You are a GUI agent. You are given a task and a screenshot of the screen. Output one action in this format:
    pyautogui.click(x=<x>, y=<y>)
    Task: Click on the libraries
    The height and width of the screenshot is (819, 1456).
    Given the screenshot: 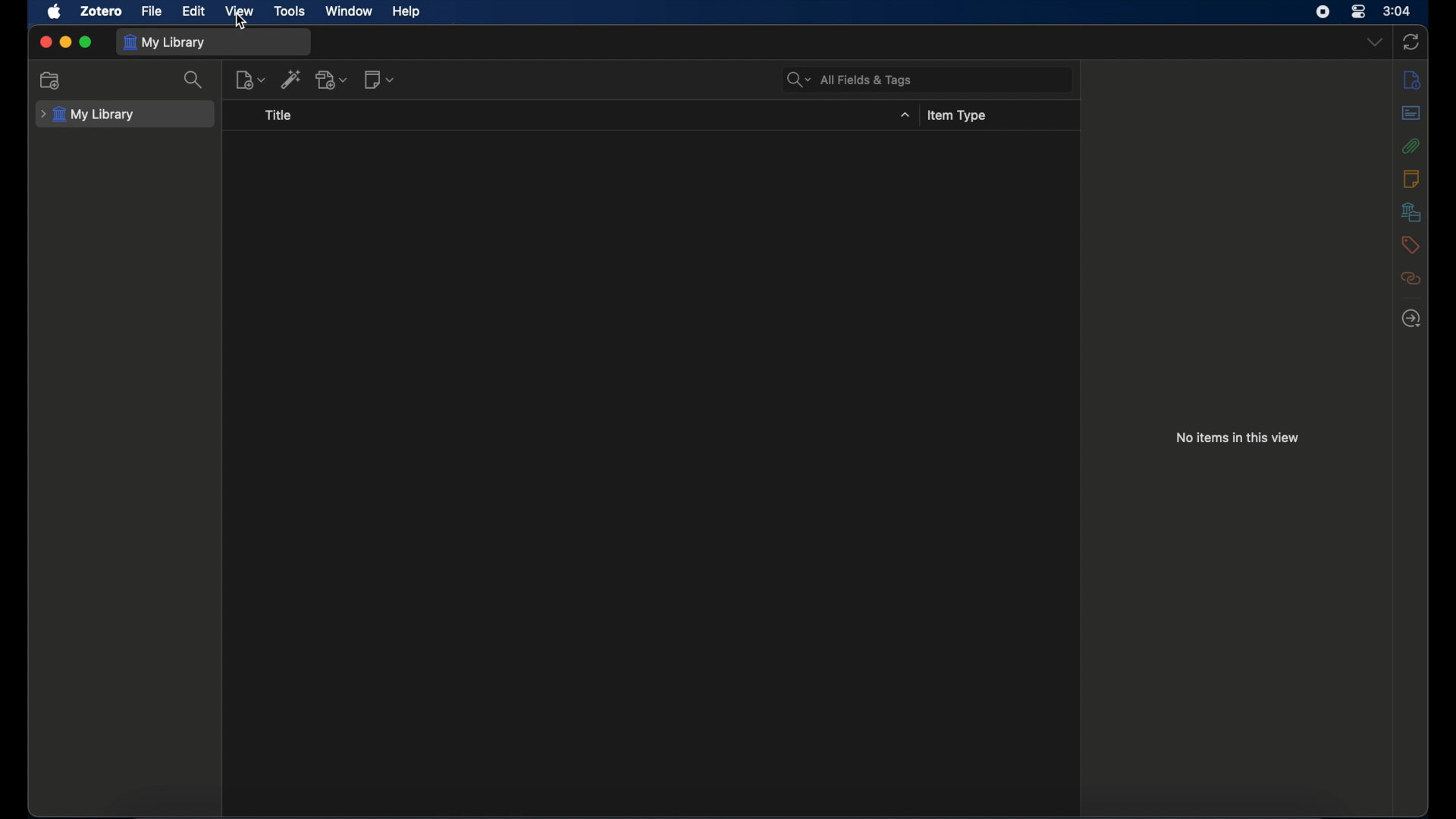 What is the action you would take?
    pyautogui.click(x=1410, y=212)
    